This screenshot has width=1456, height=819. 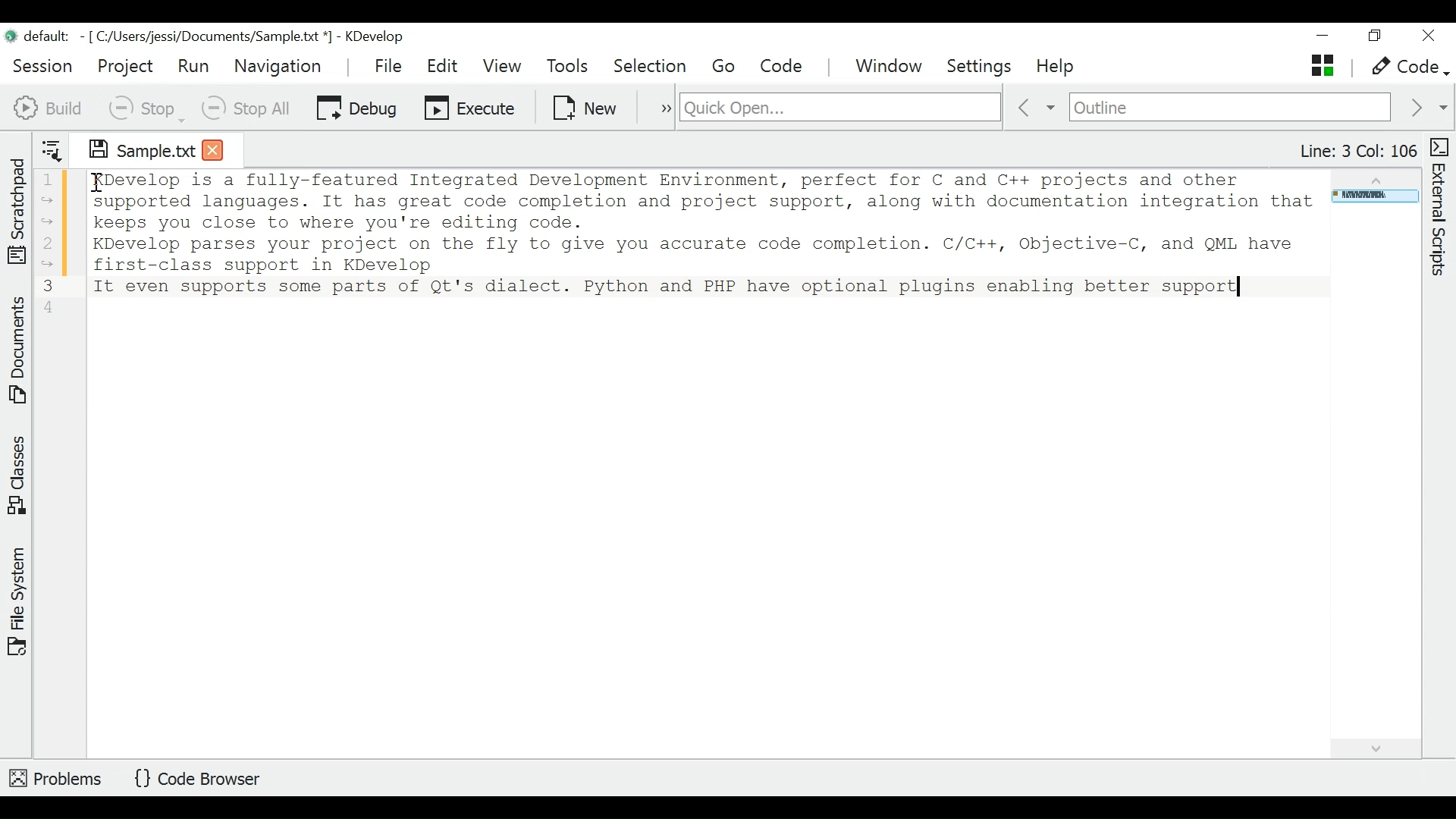 I want to click on Run, so click(x=193, y=65).